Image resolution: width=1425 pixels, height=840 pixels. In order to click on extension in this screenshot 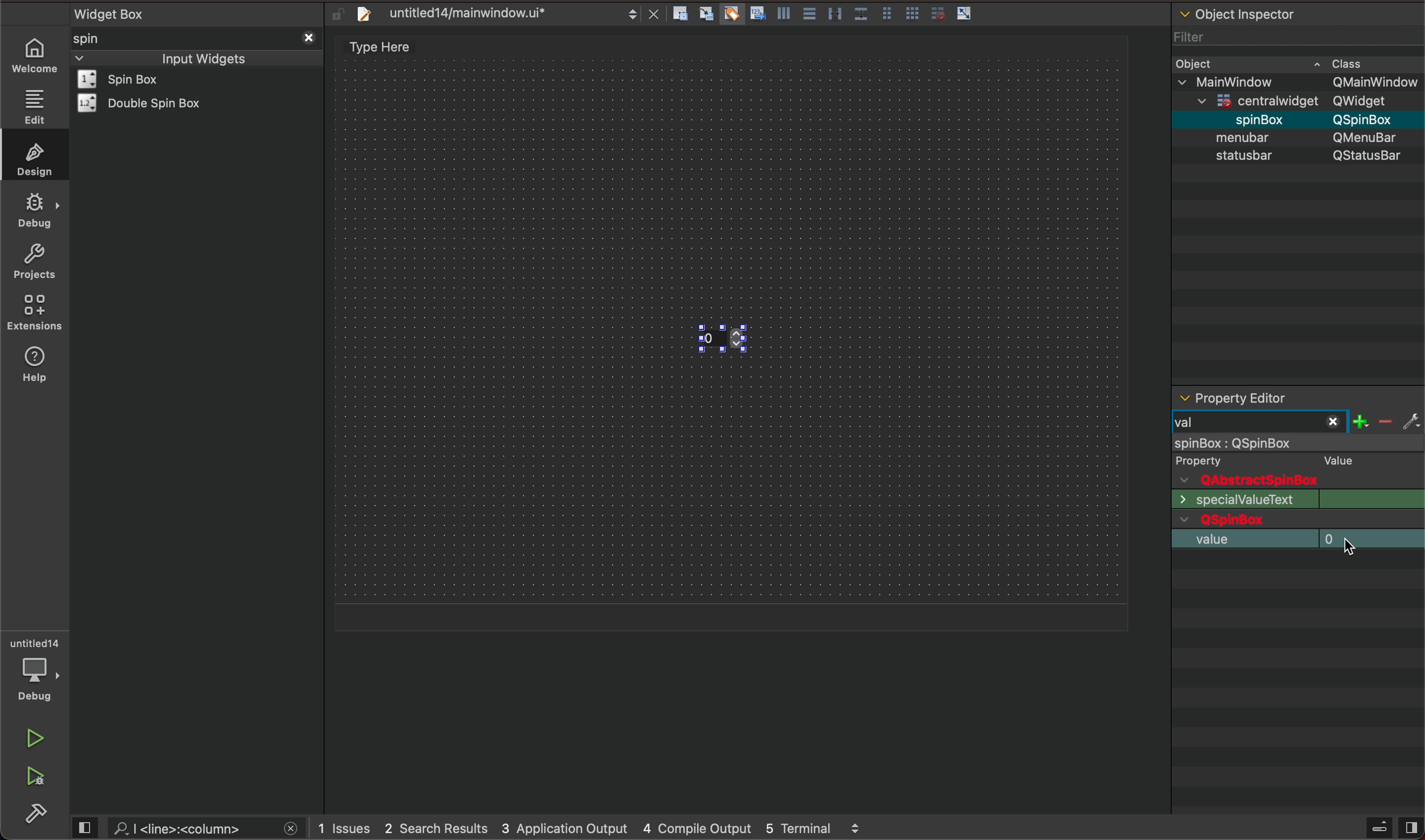, I will do `click(35, 313)`.